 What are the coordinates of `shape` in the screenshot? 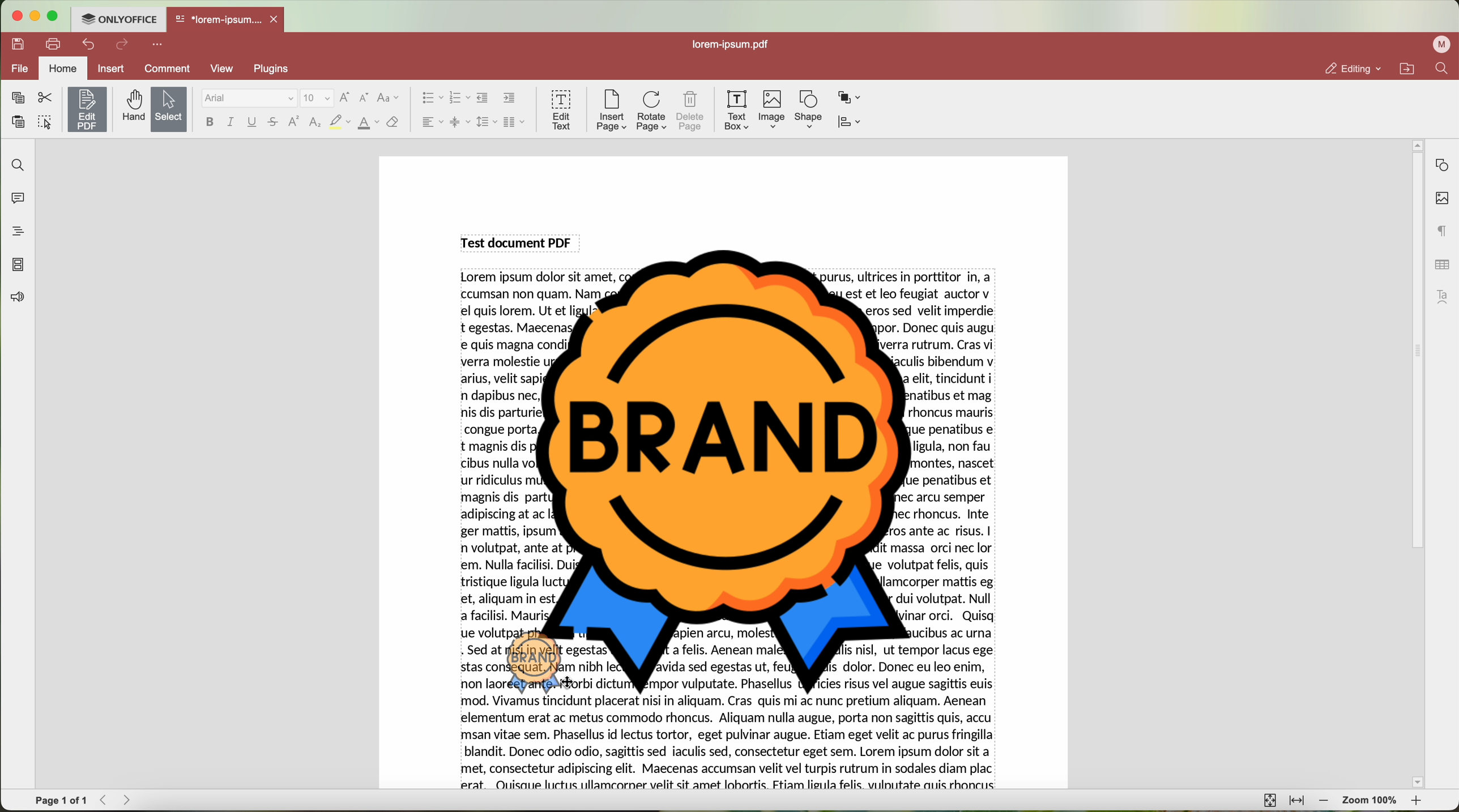 It's located at (809, 110).